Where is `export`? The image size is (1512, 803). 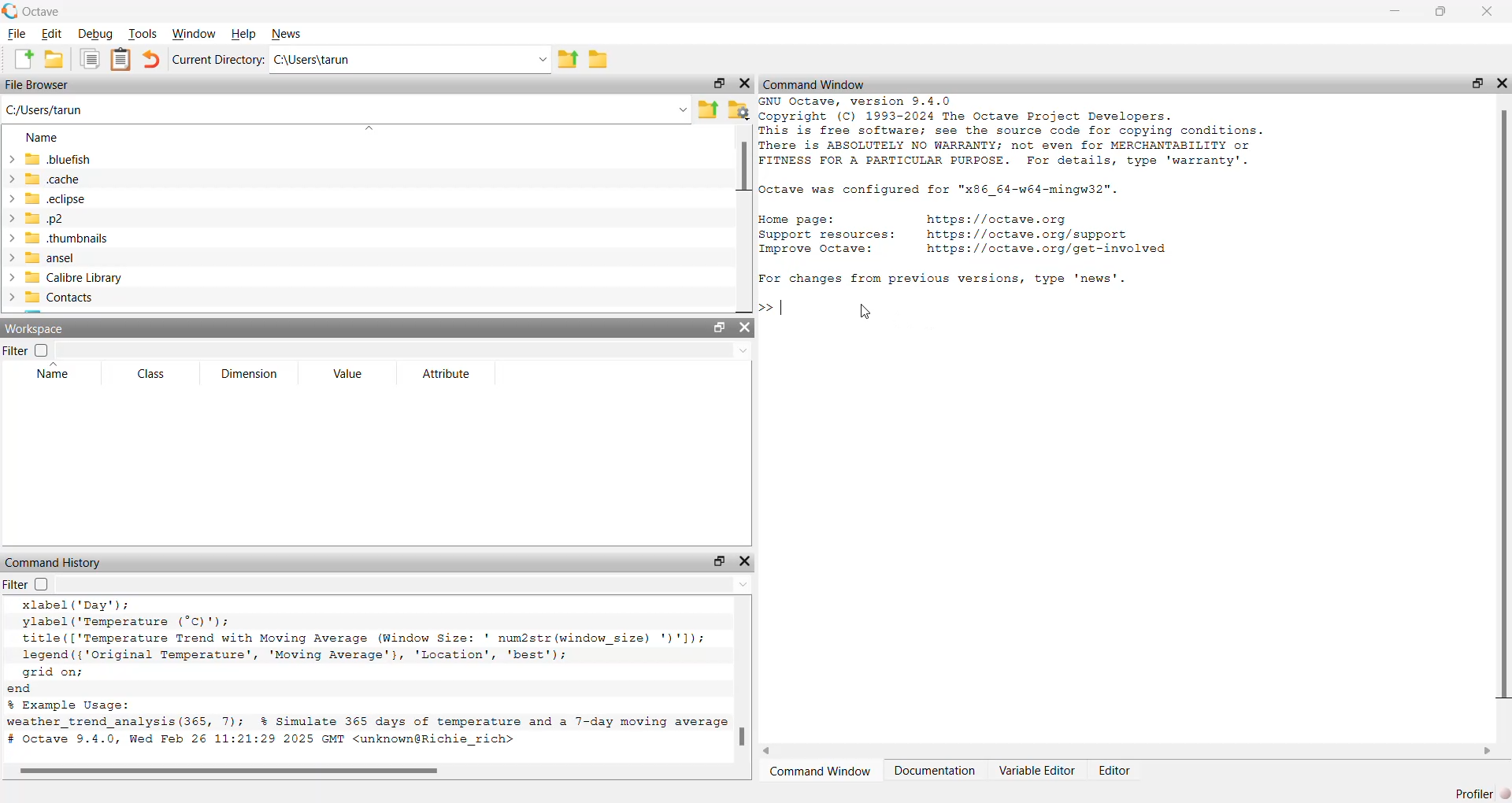 export is located at coordinates (571, 60).